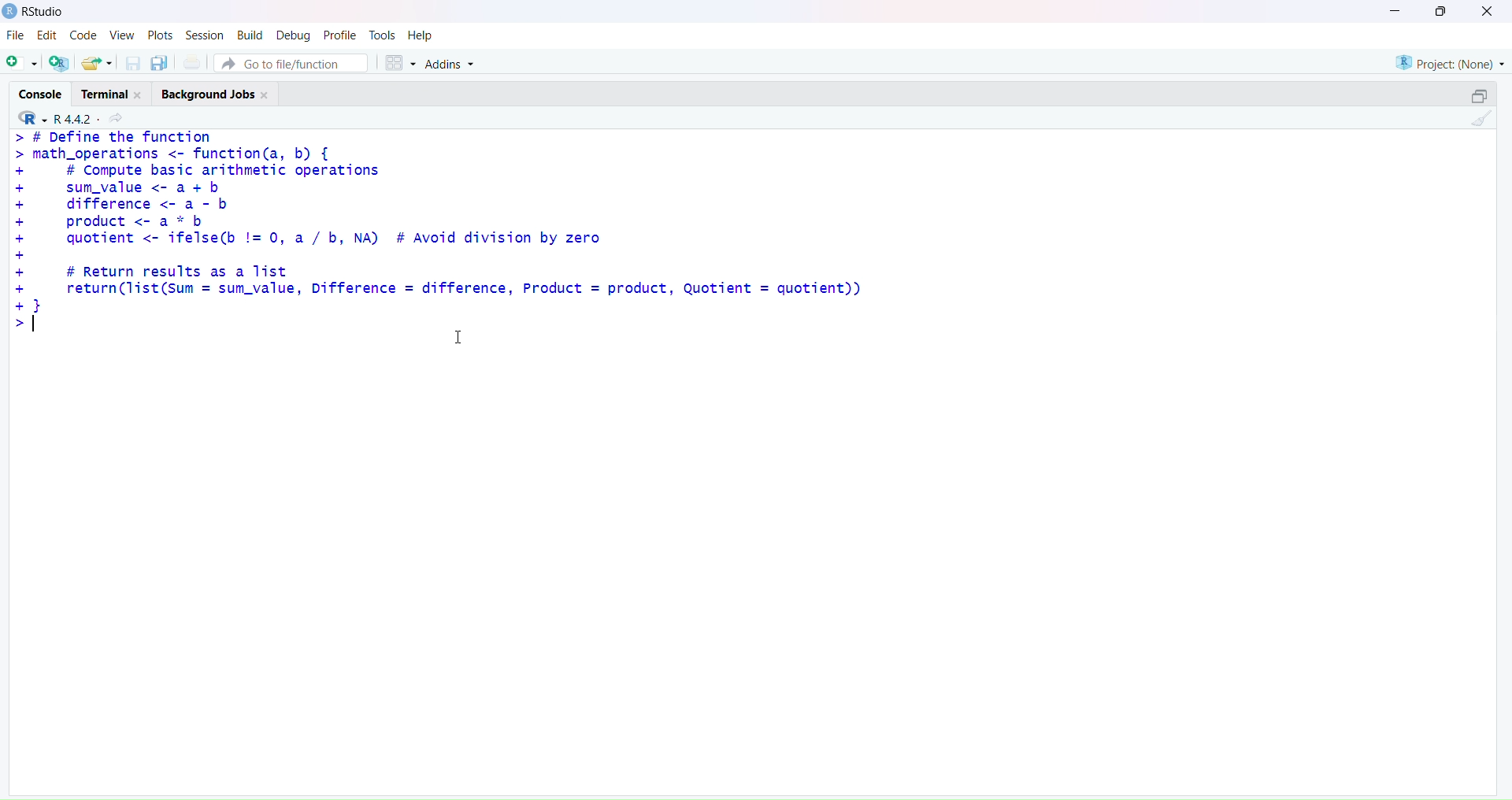 The image size is (1512, 800). I want to click on Print the current file, so click(191, 61).